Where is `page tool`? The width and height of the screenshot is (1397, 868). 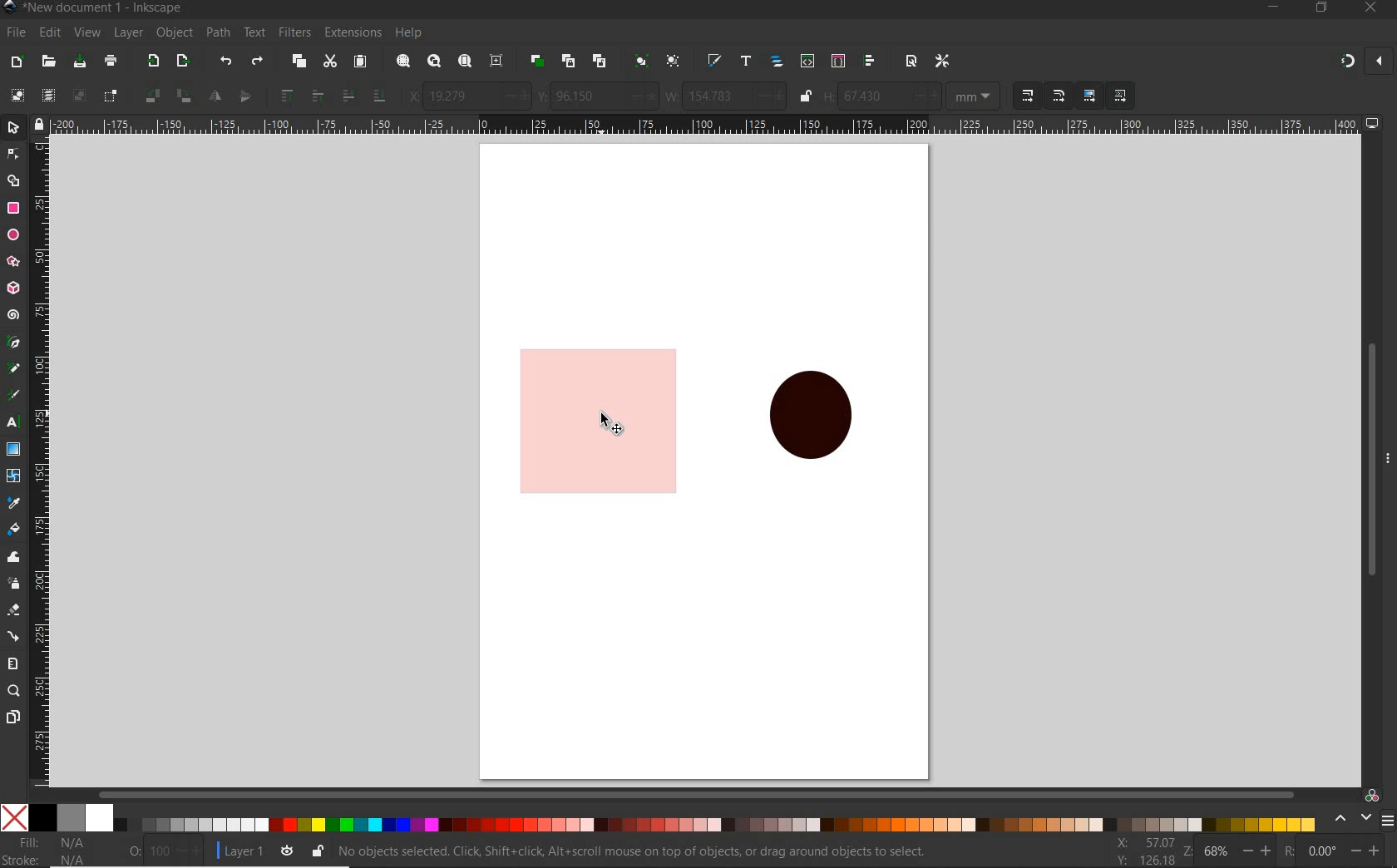
page tool is located at coordinates (12, 718).